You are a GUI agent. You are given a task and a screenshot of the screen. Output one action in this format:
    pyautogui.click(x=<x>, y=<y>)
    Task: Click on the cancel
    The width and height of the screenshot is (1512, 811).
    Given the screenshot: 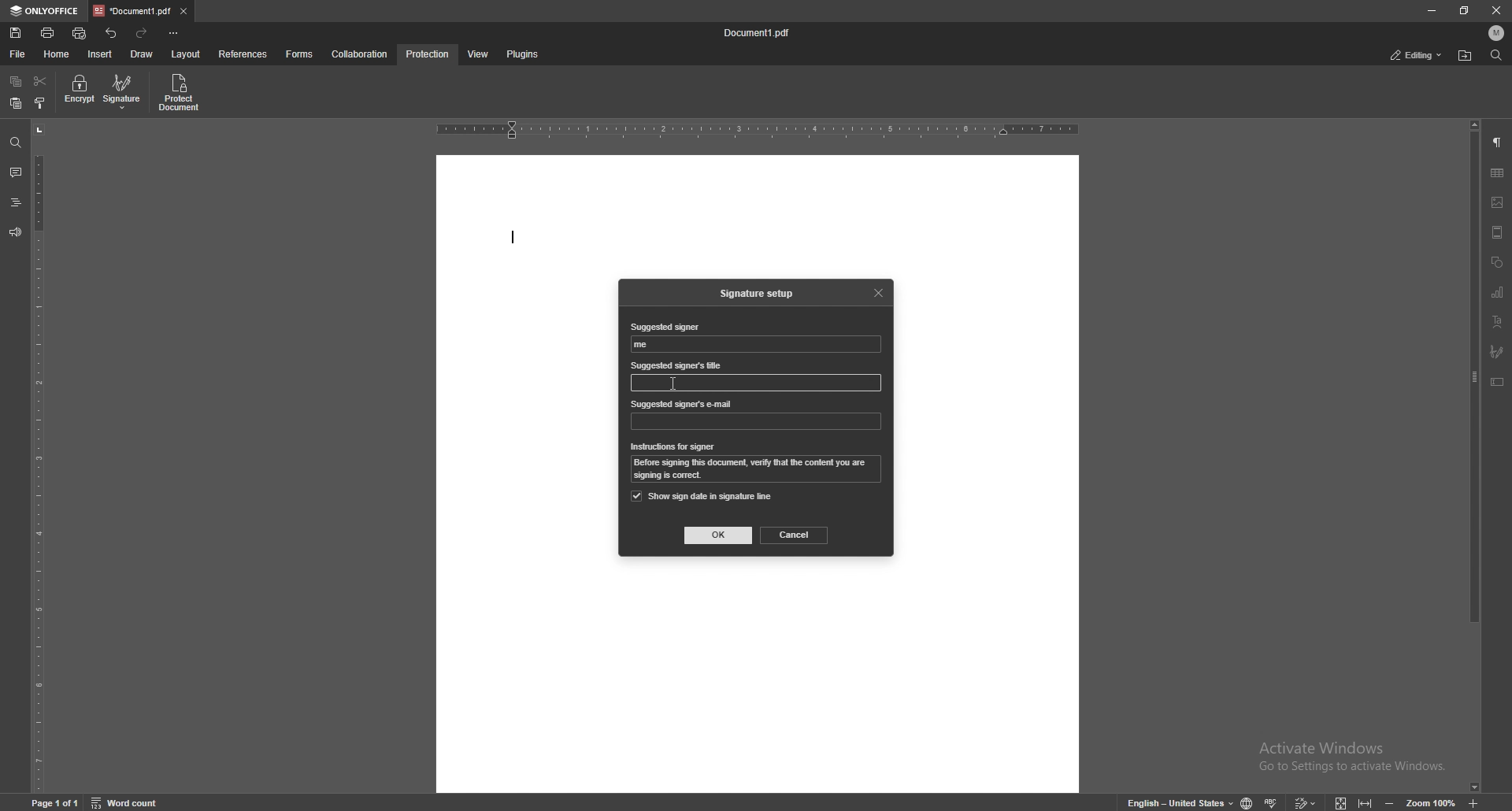 What is the action you would take?
    pyautogui.click(x=795, y=535)
    